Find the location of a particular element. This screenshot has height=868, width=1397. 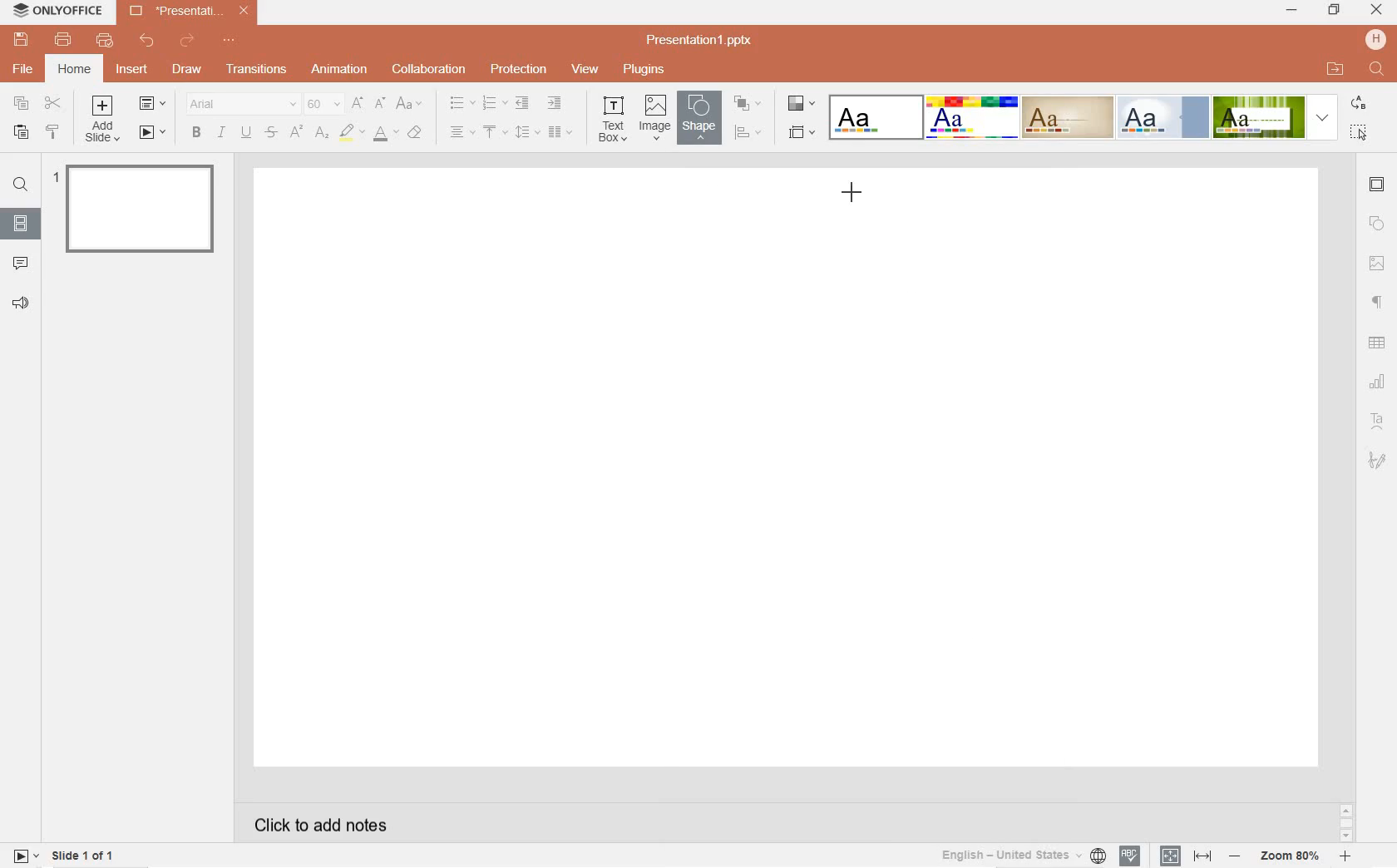

chart settings is located at coordinates (1379, 382).